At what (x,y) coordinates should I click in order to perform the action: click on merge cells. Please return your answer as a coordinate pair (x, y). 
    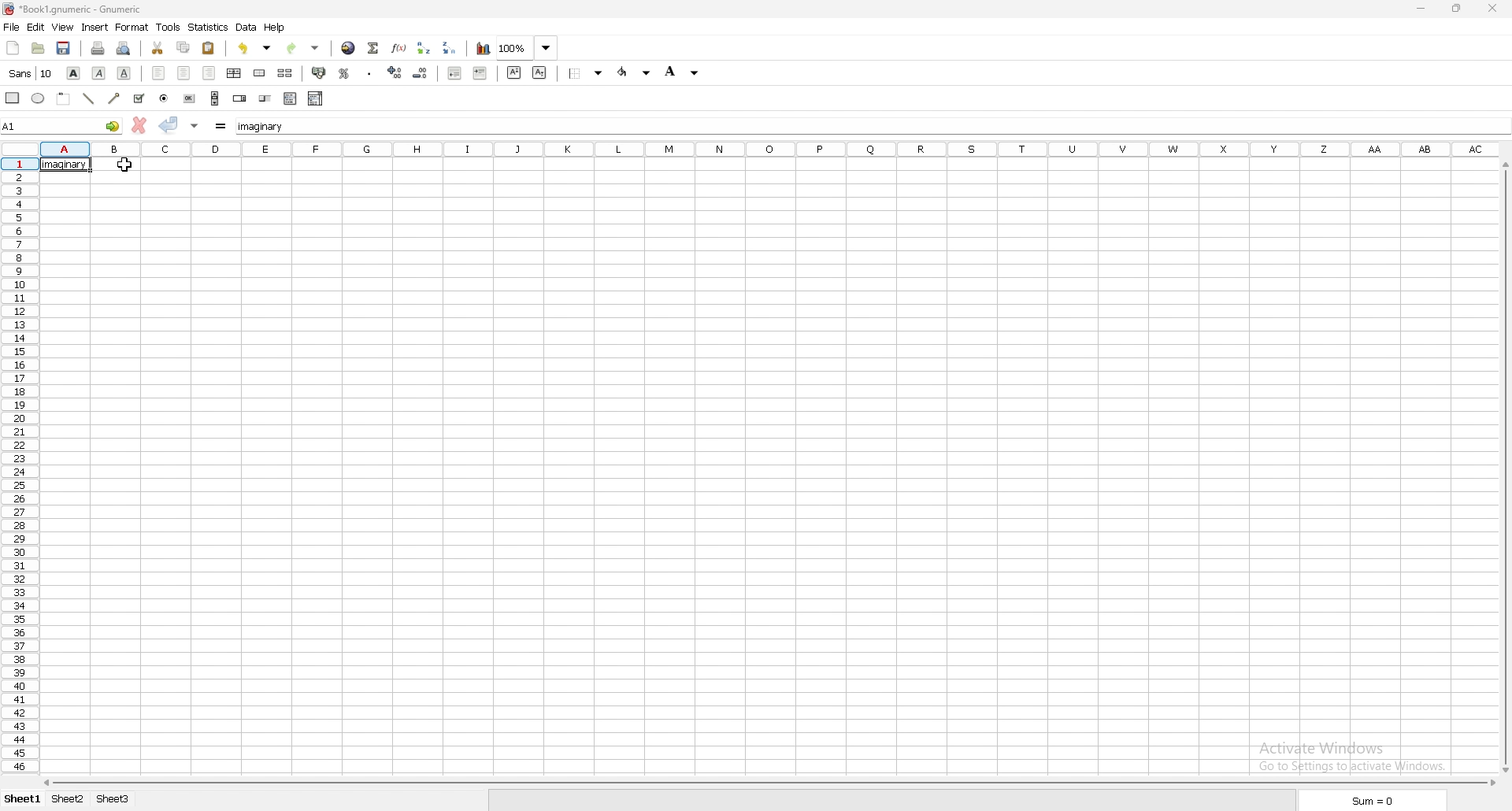
    Looking at the image, I should click on (261, 73).